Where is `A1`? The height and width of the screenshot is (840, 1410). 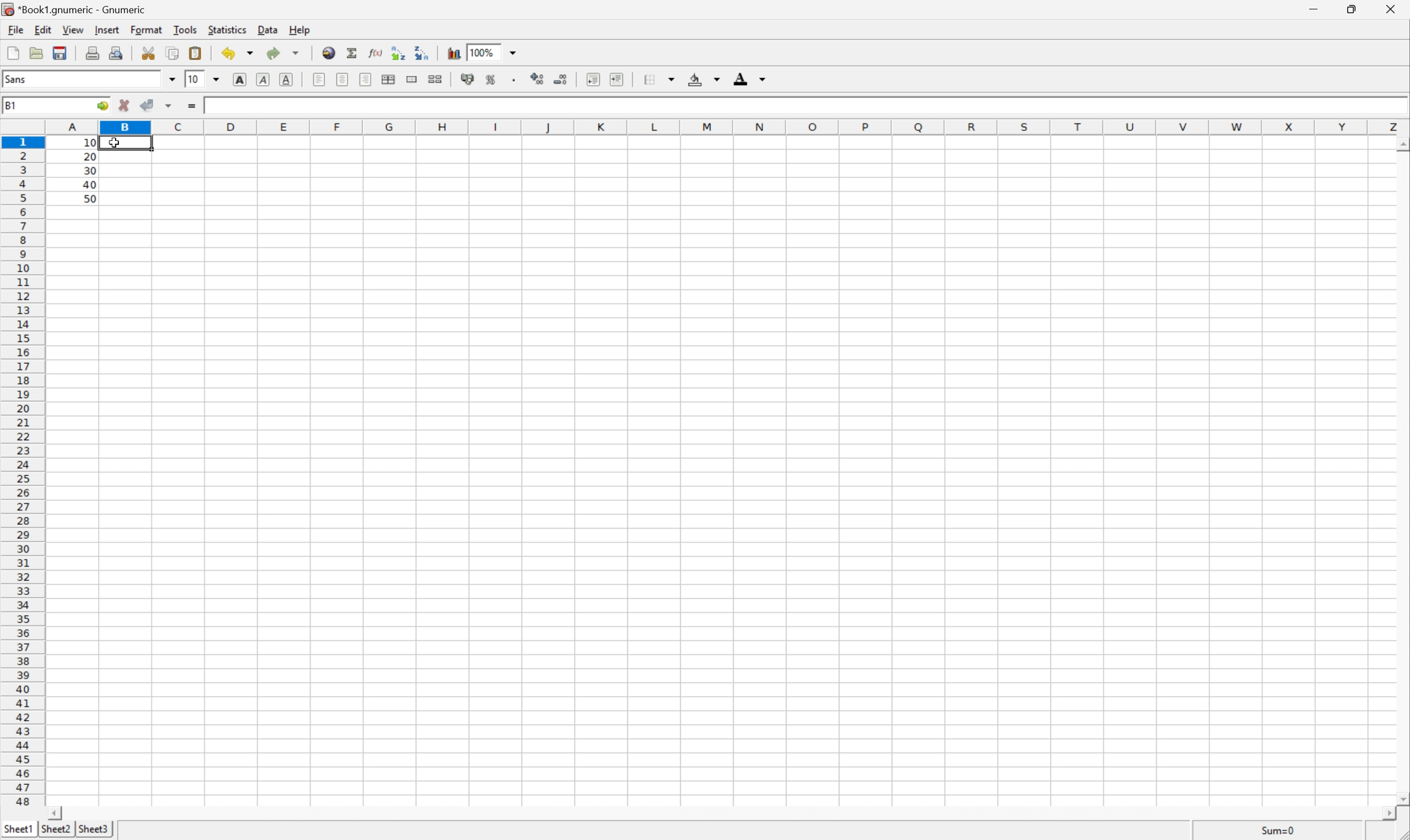
A1 is located at coordinates (14, 106).